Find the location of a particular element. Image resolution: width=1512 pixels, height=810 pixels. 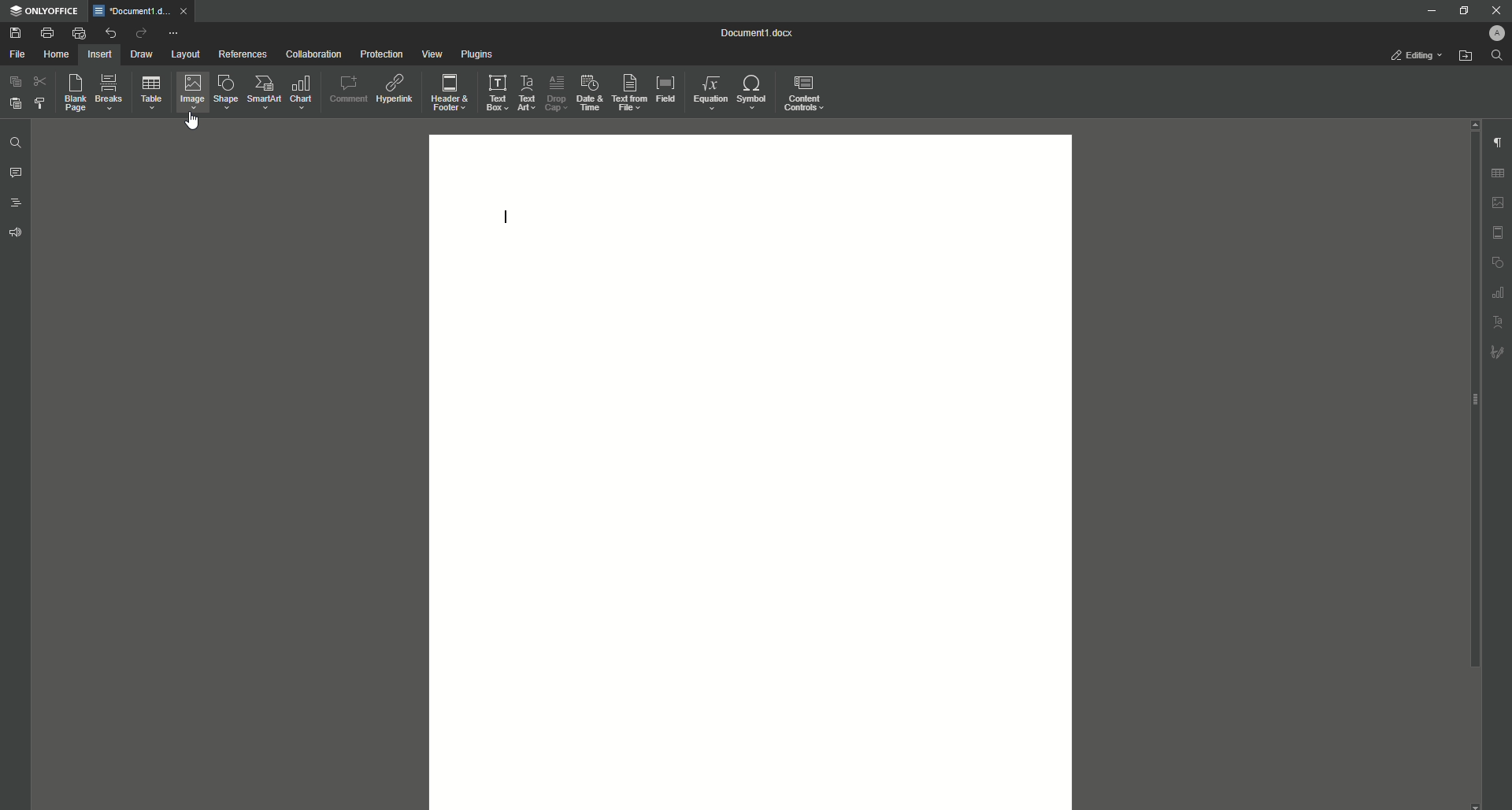

Profile is located at coordinates (1495, 32).